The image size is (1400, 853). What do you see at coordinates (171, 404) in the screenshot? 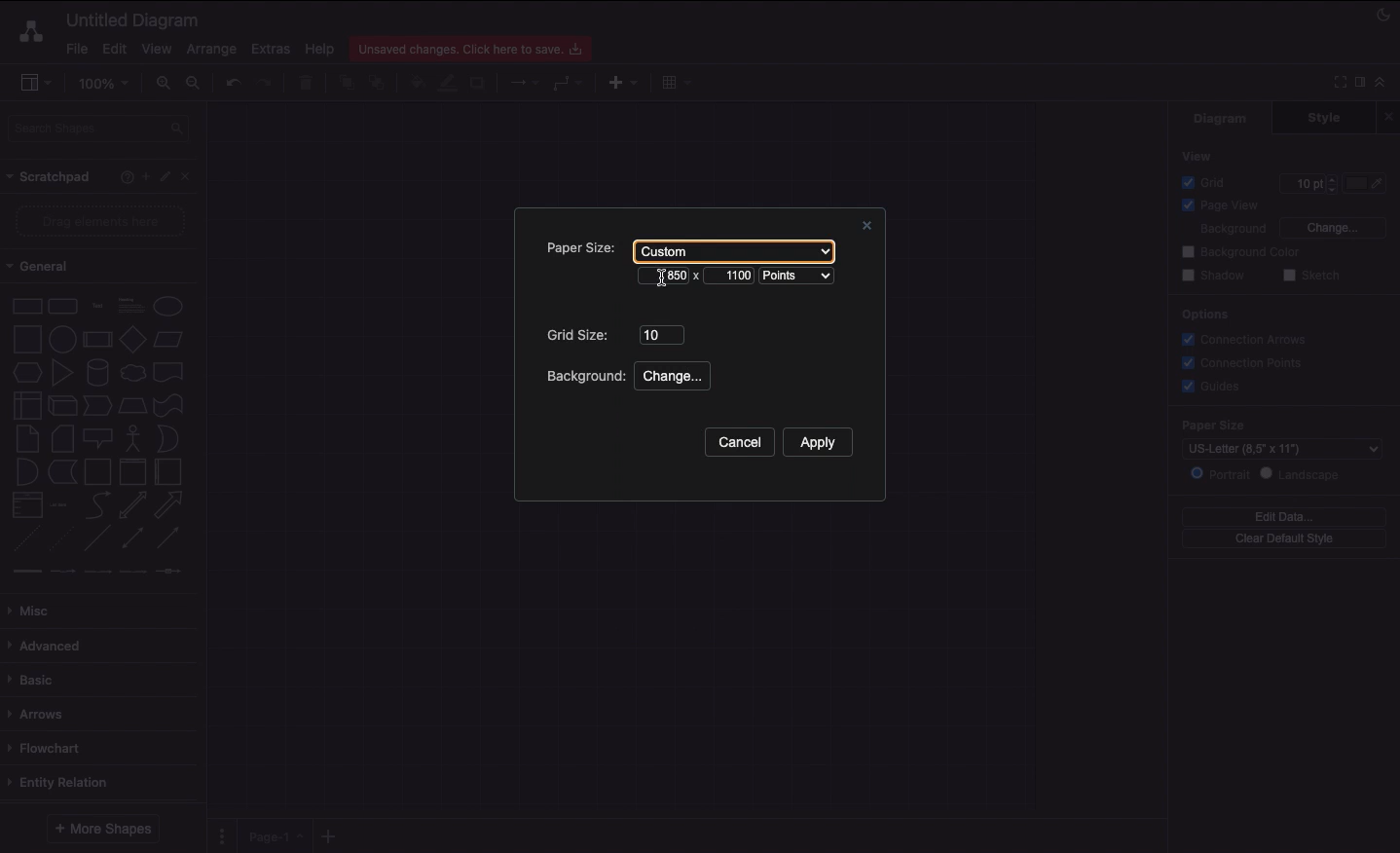
I see `Tape` at bounding box center [171, 404].